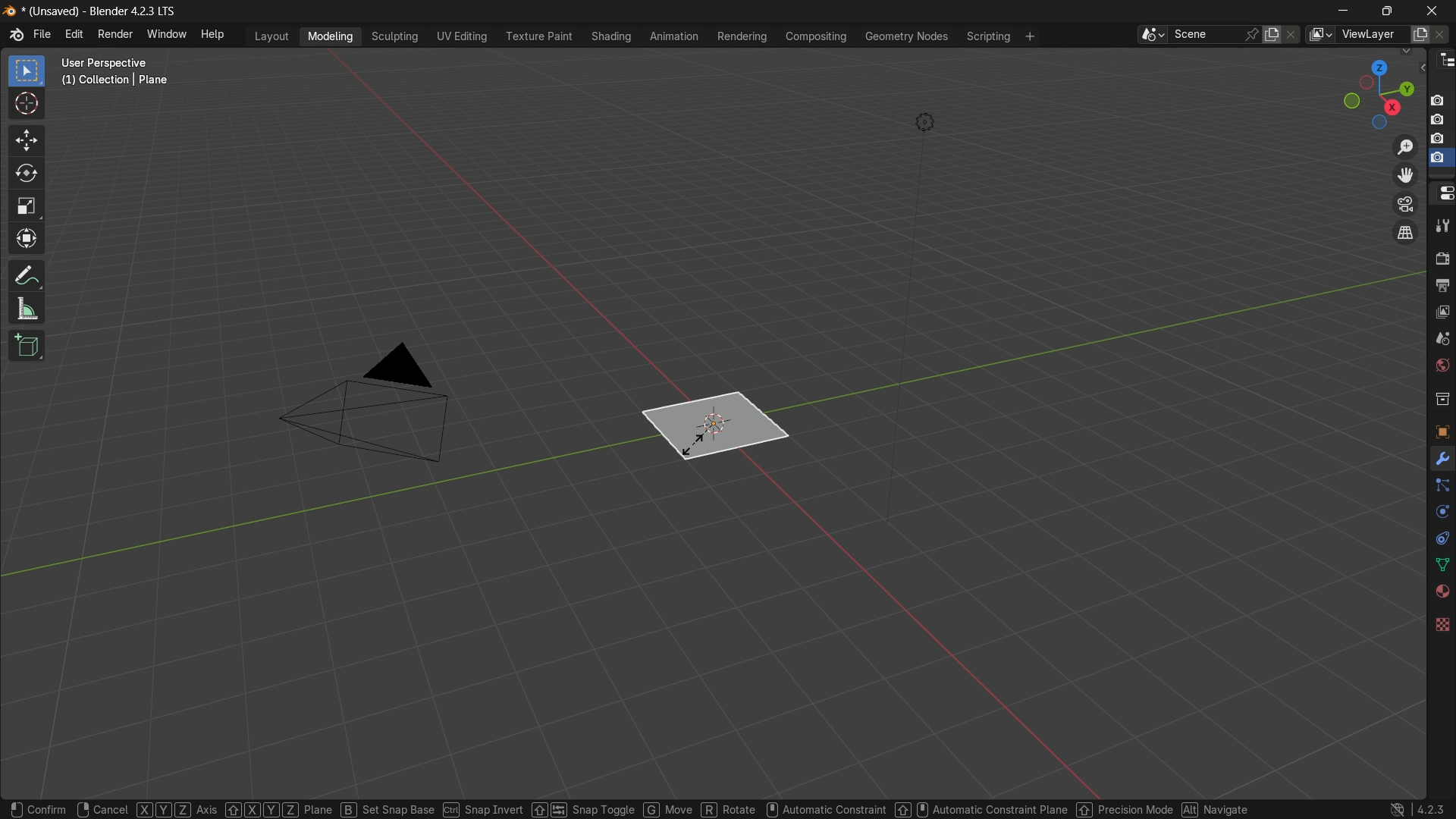  Describe the element at coordinates (1407, 205) in the screenshot. I see `toggle the camera view` at that location.